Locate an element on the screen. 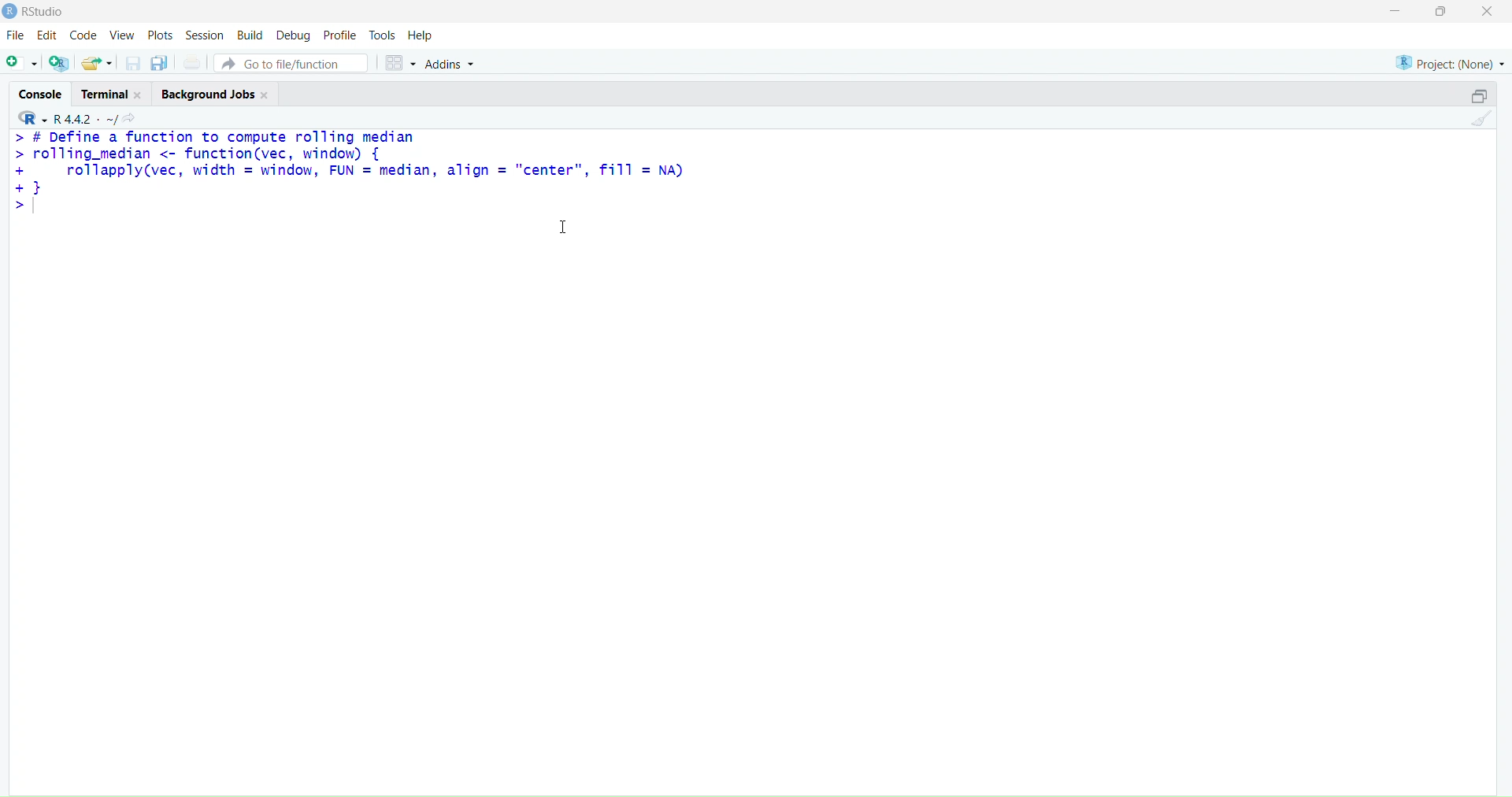  close is located at coordinates (265, 96).